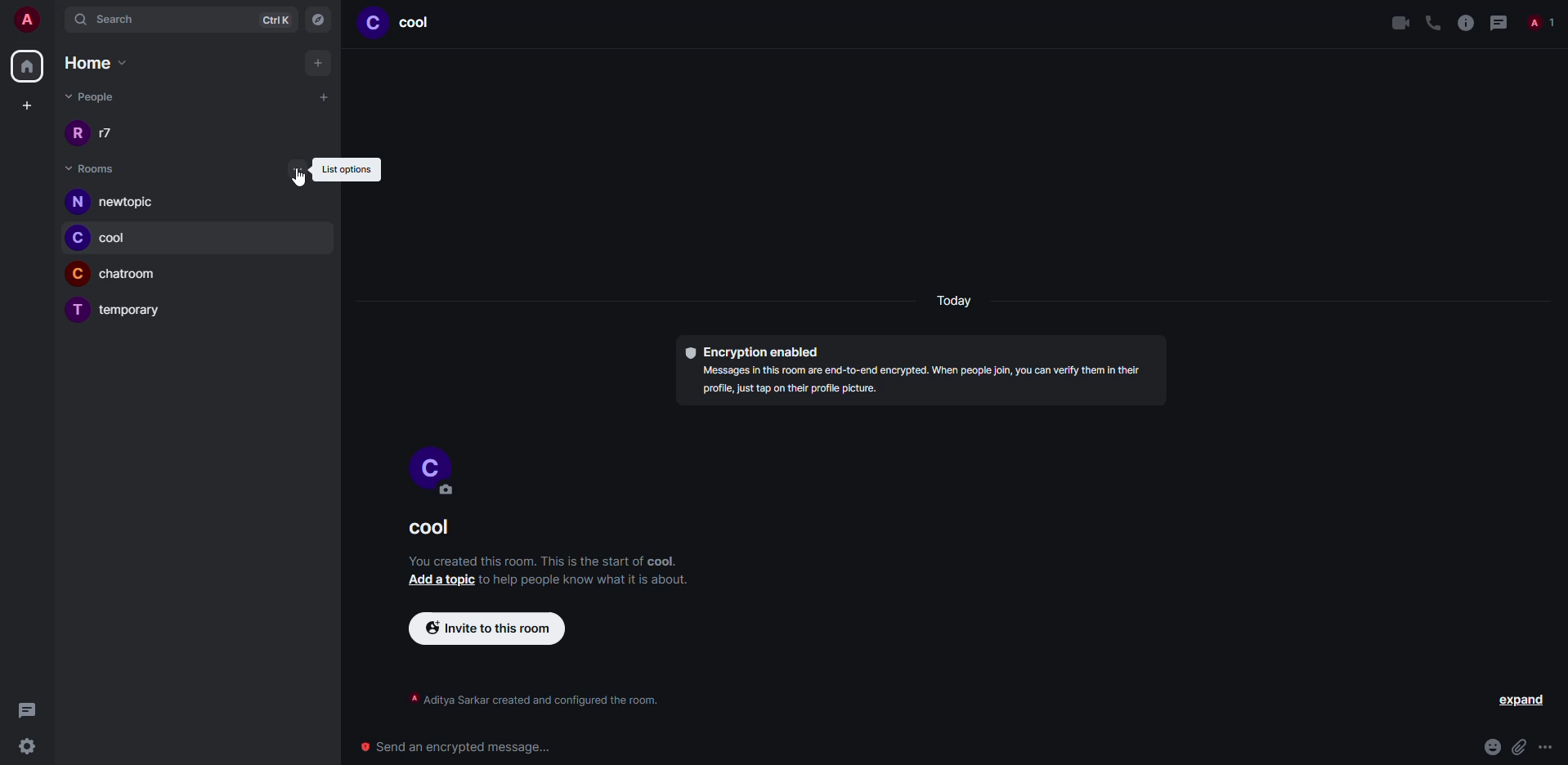 The height and width of the screenshot is (765, 1568). What do you see at coordinates (88, 96) in the screenshot?
I see `people` at bounding box center [88, 96].